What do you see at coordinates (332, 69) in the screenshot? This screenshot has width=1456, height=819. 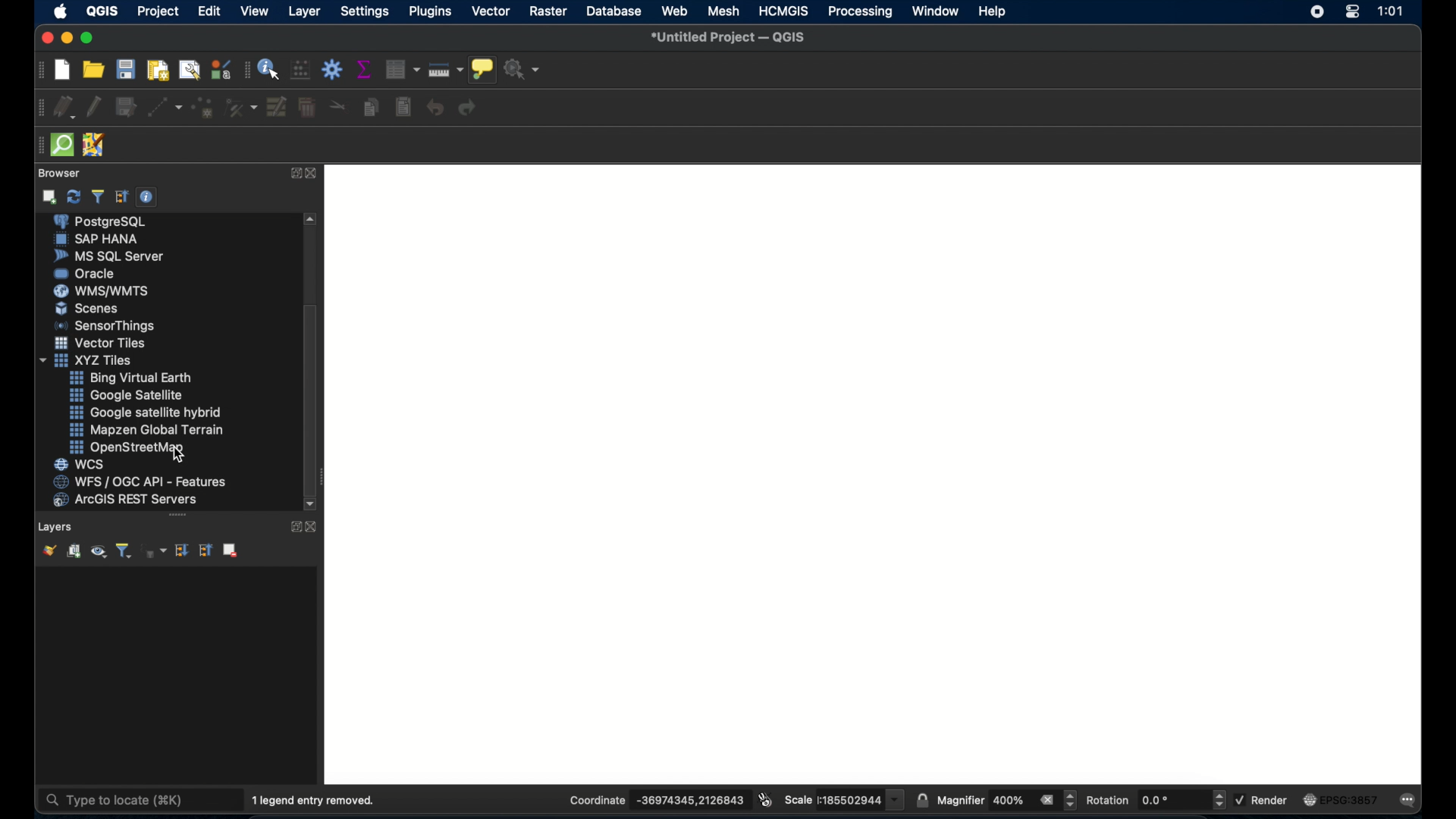 I see `toolbox` at bounding box center [332, 69].